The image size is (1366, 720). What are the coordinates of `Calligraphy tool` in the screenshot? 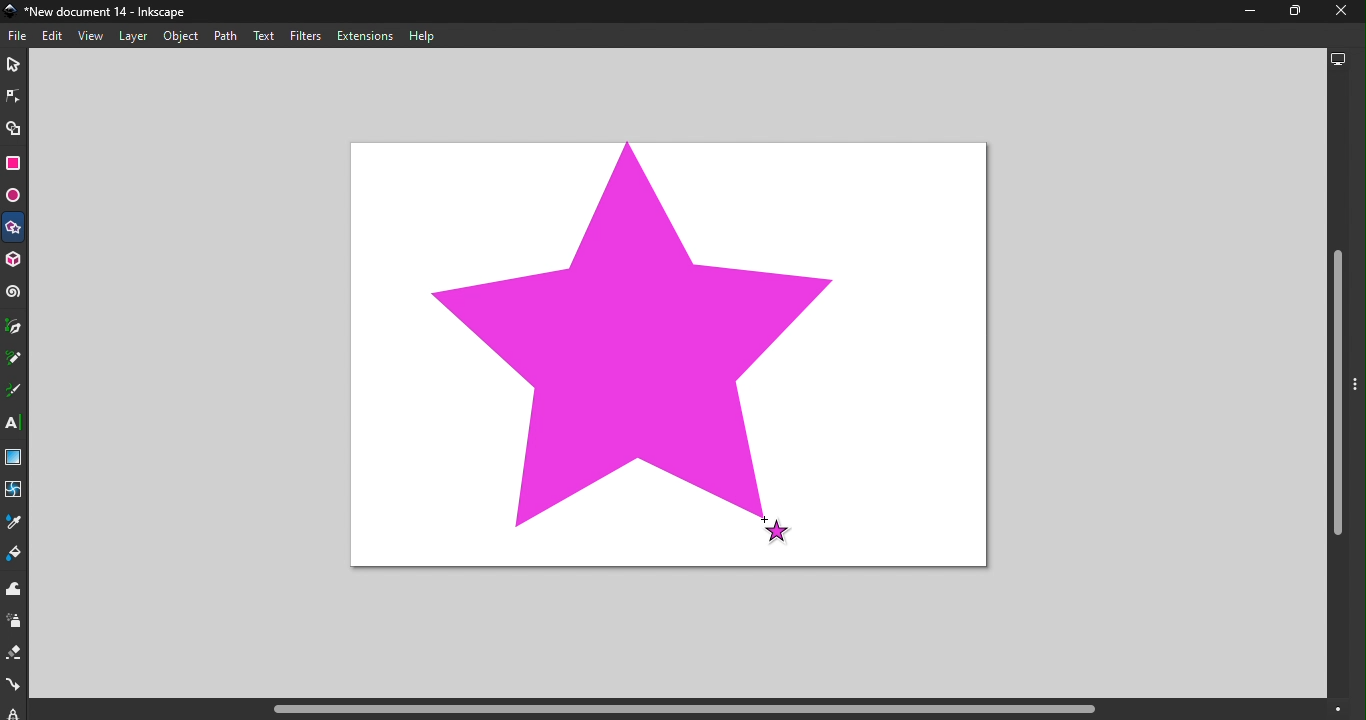 It's located at (17, 391).